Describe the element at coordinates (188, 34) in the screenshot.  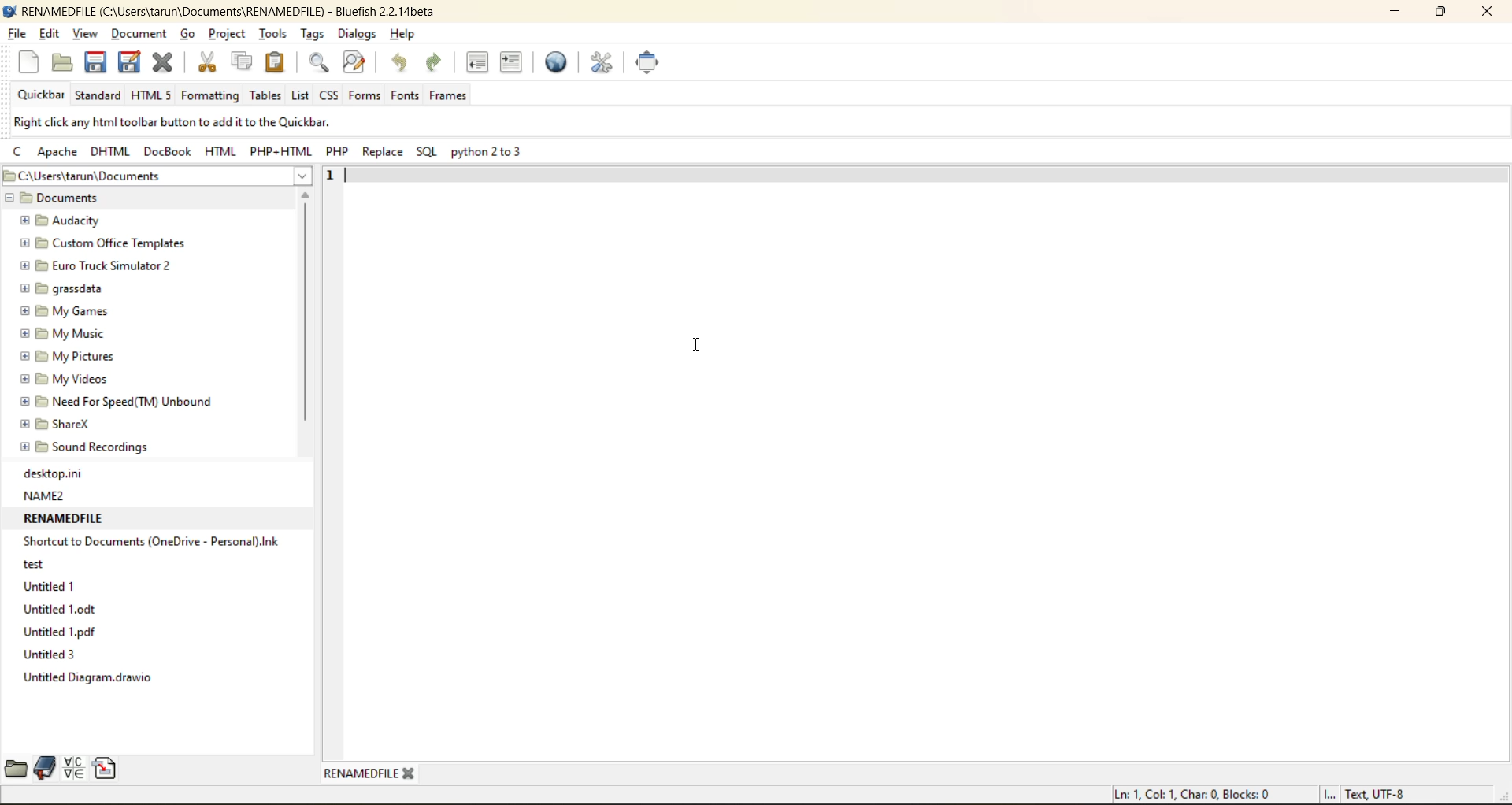
I see `go` at that location.